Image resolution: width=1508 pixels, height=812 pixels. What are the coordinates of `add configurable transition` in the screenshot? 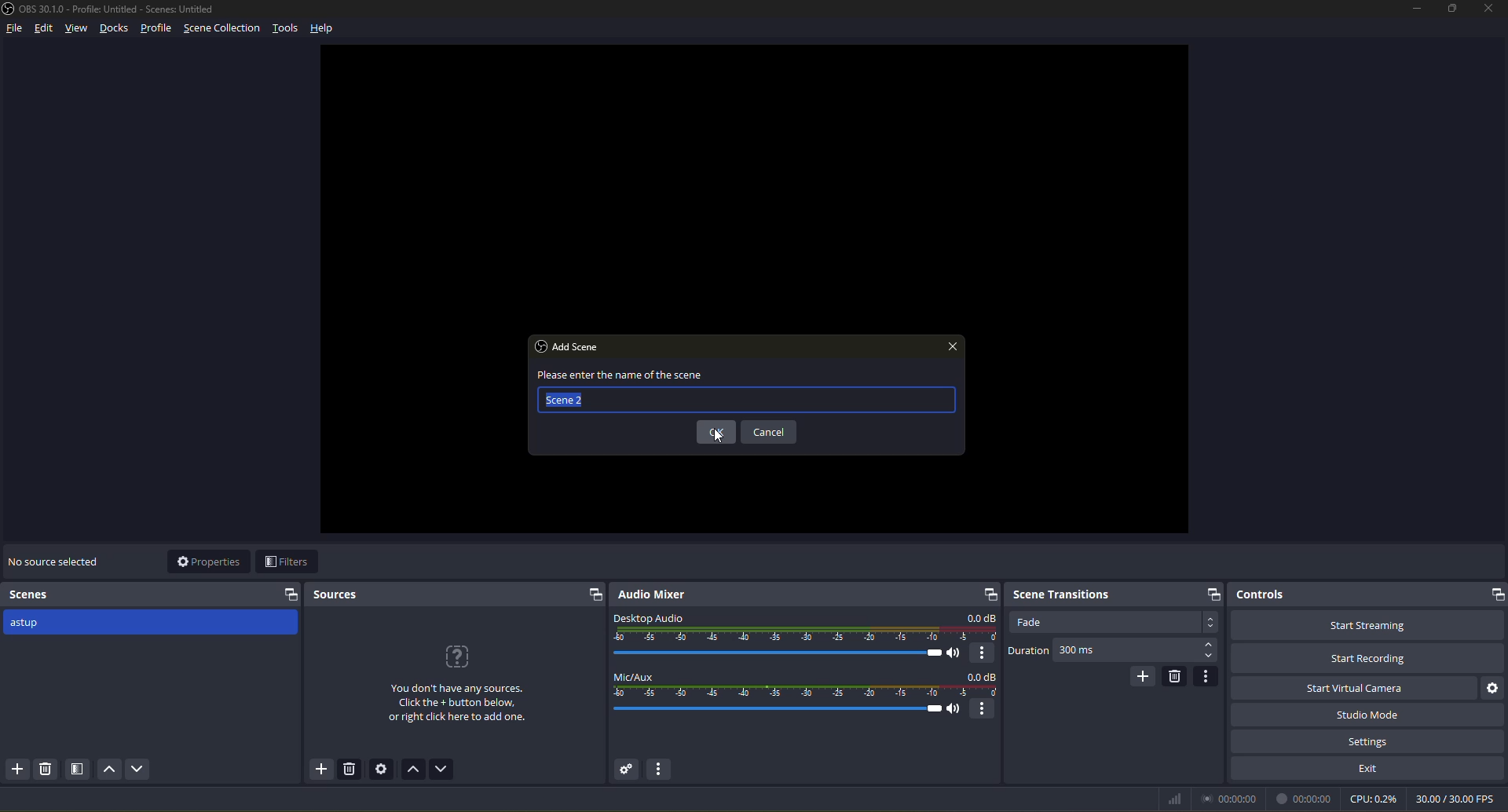 It's located at (1145, 676).